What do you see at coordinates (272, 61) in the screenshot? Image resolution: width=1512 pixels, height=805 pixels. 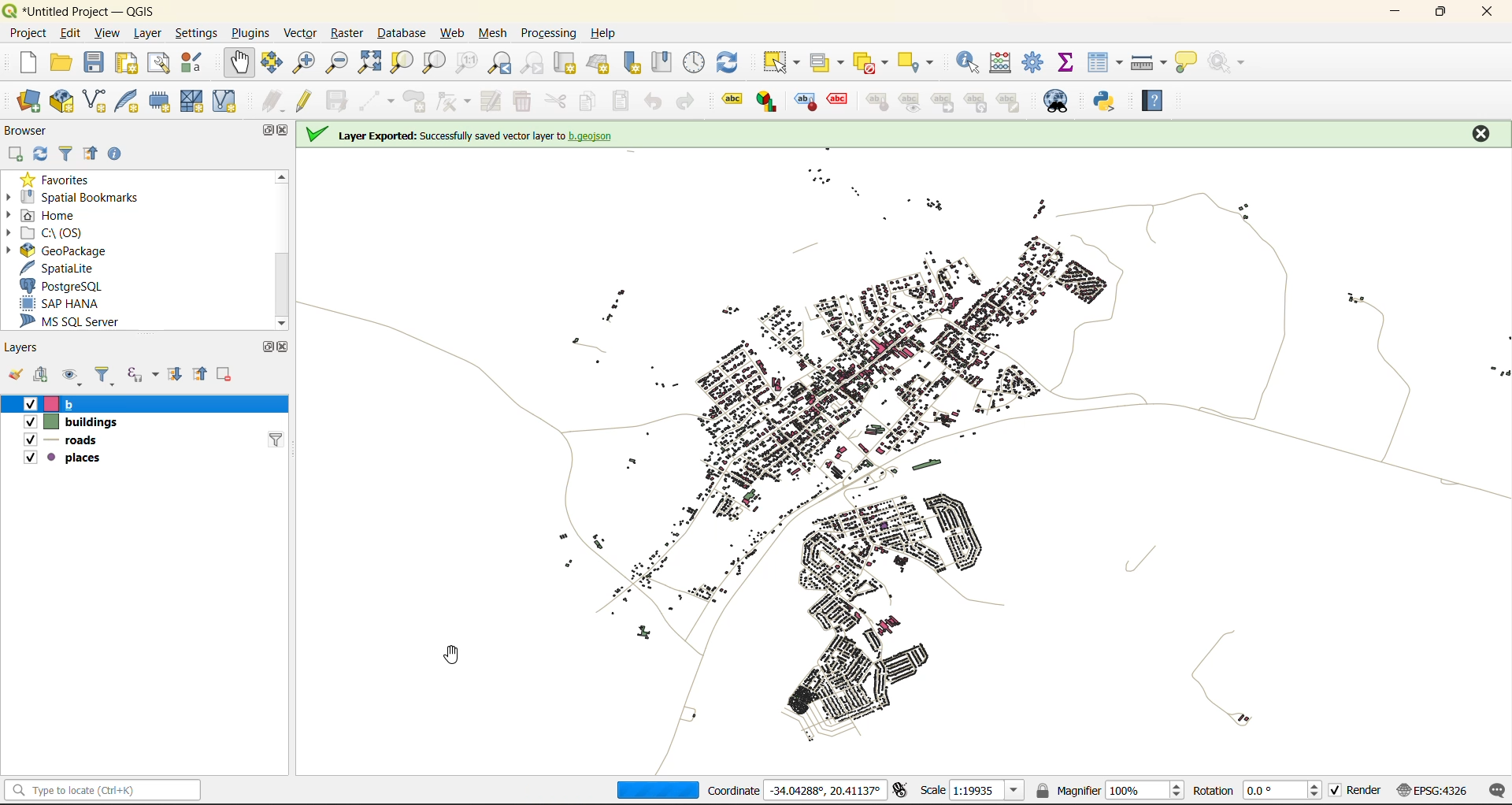 I see `pan selection` at bounding box center [272, 61].